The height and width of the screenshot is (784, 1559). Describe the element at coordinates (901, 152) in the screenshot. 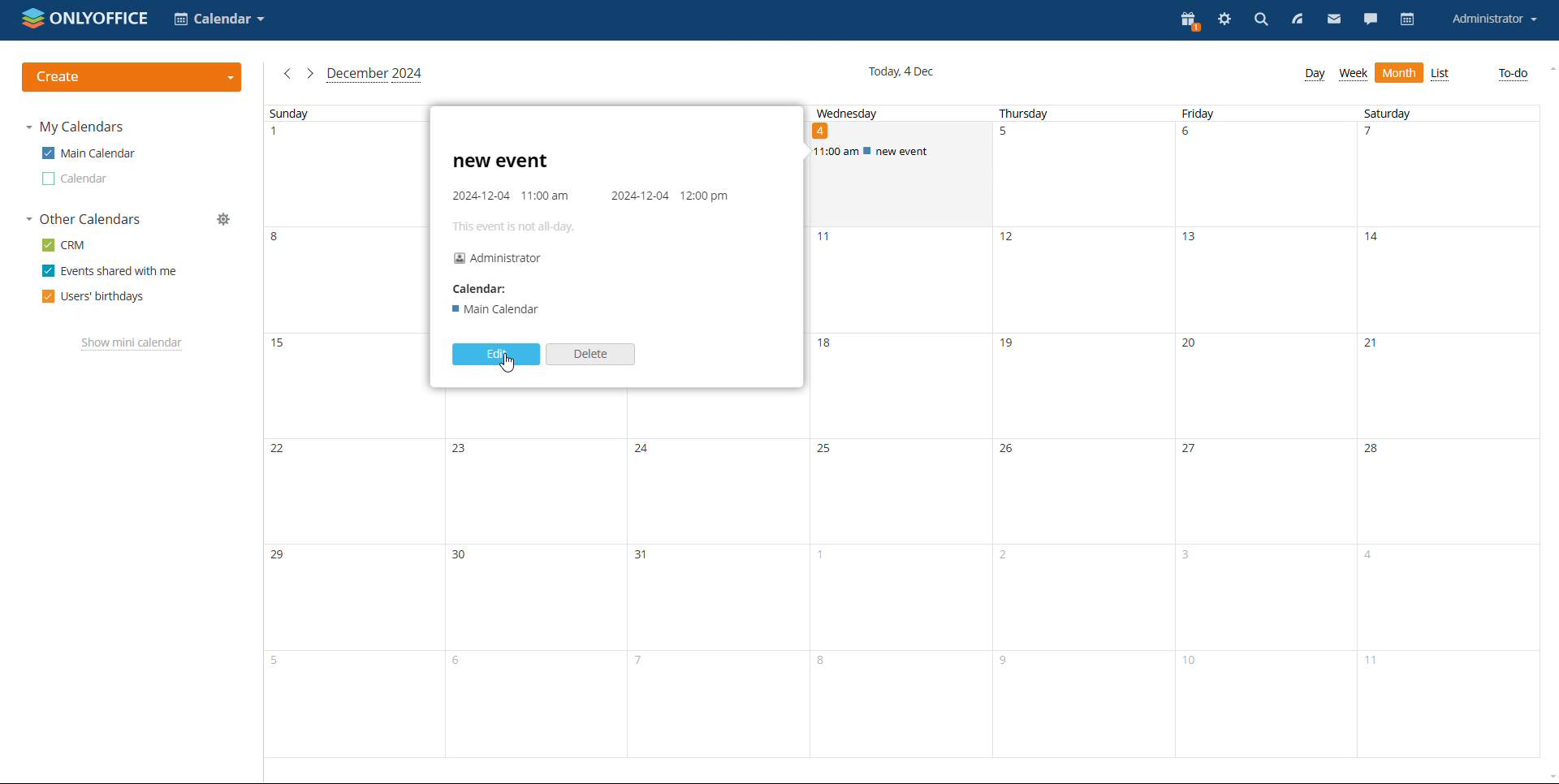

I see `scheduled event` at that location.